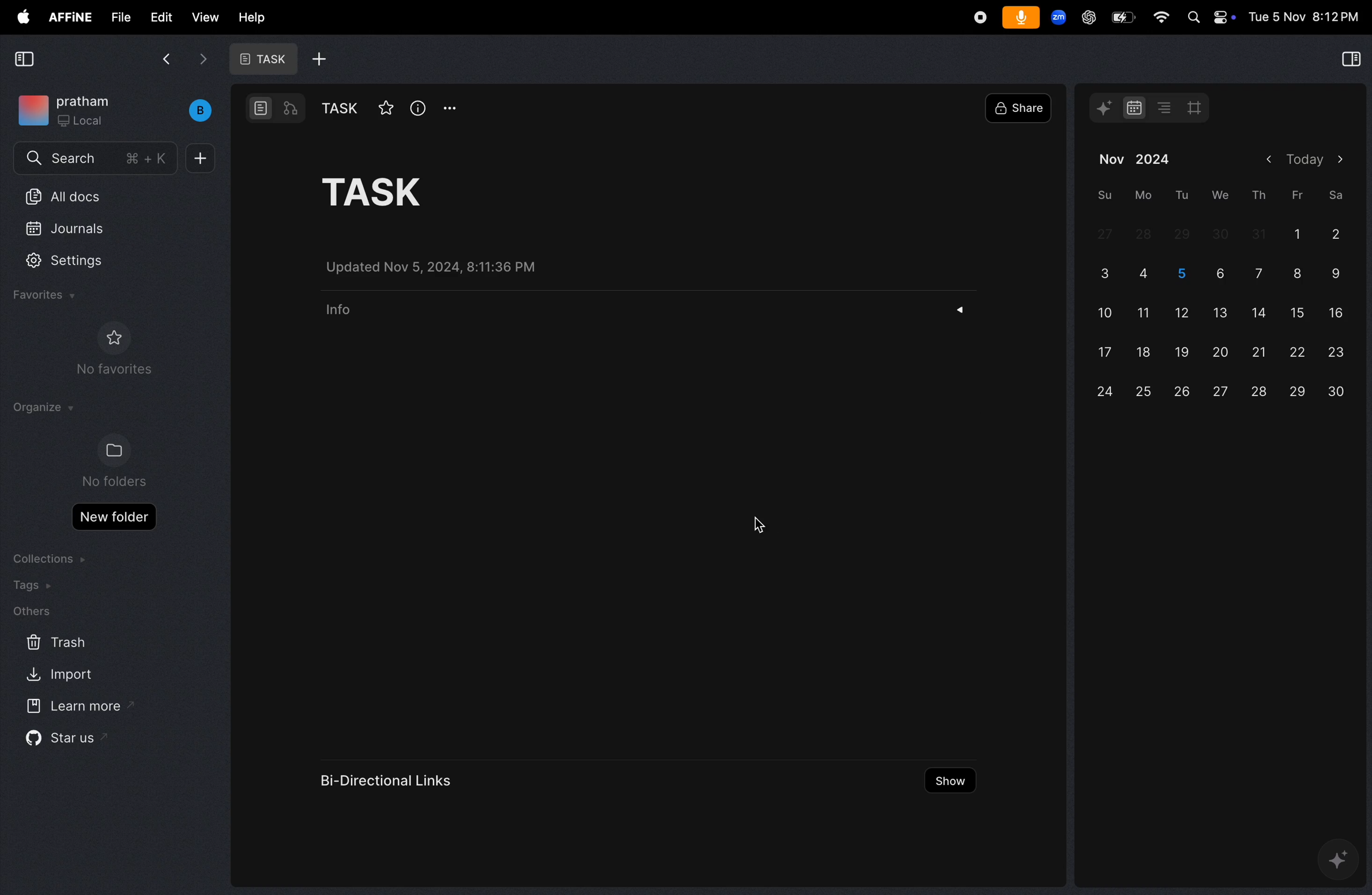 This screenshot has width=1372, height=895. Describe the element at coordinates (202, 63) in the screenshot. I see `next` at that location.